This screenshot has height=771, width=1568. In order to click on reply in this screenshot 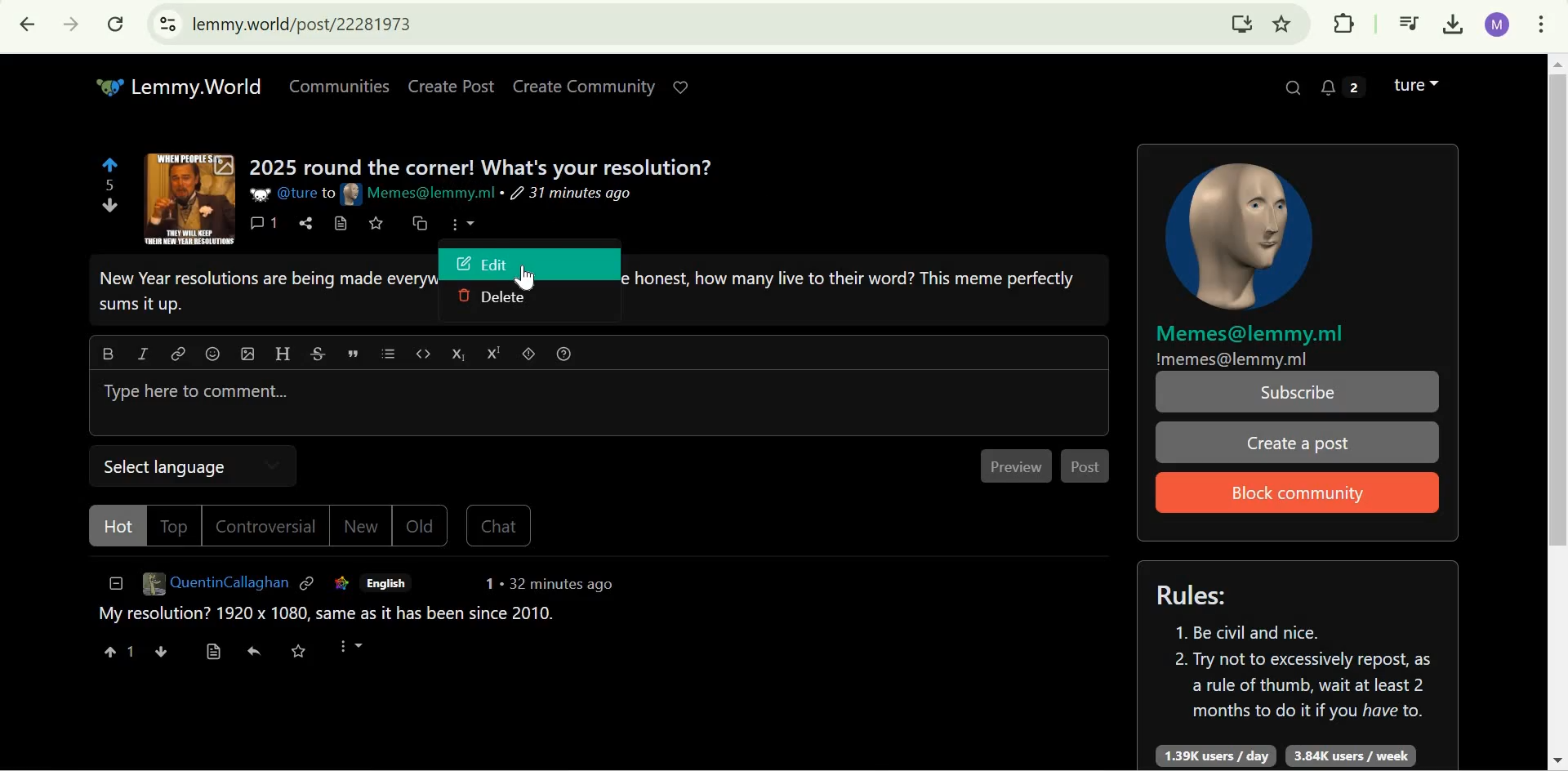, I will do `click(257, 651)`.